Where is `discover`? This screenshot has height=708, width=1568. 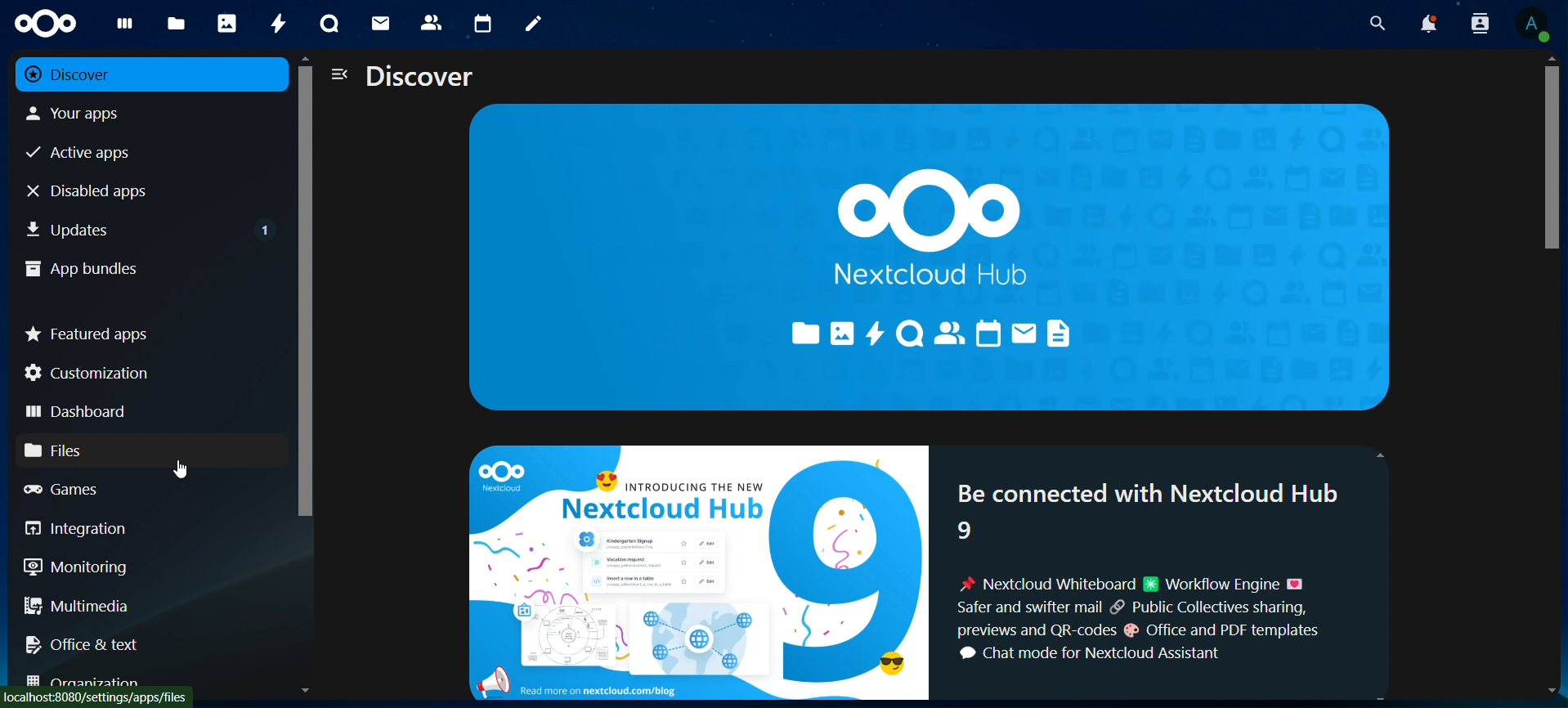 discover is located at coordinates (80, 74).